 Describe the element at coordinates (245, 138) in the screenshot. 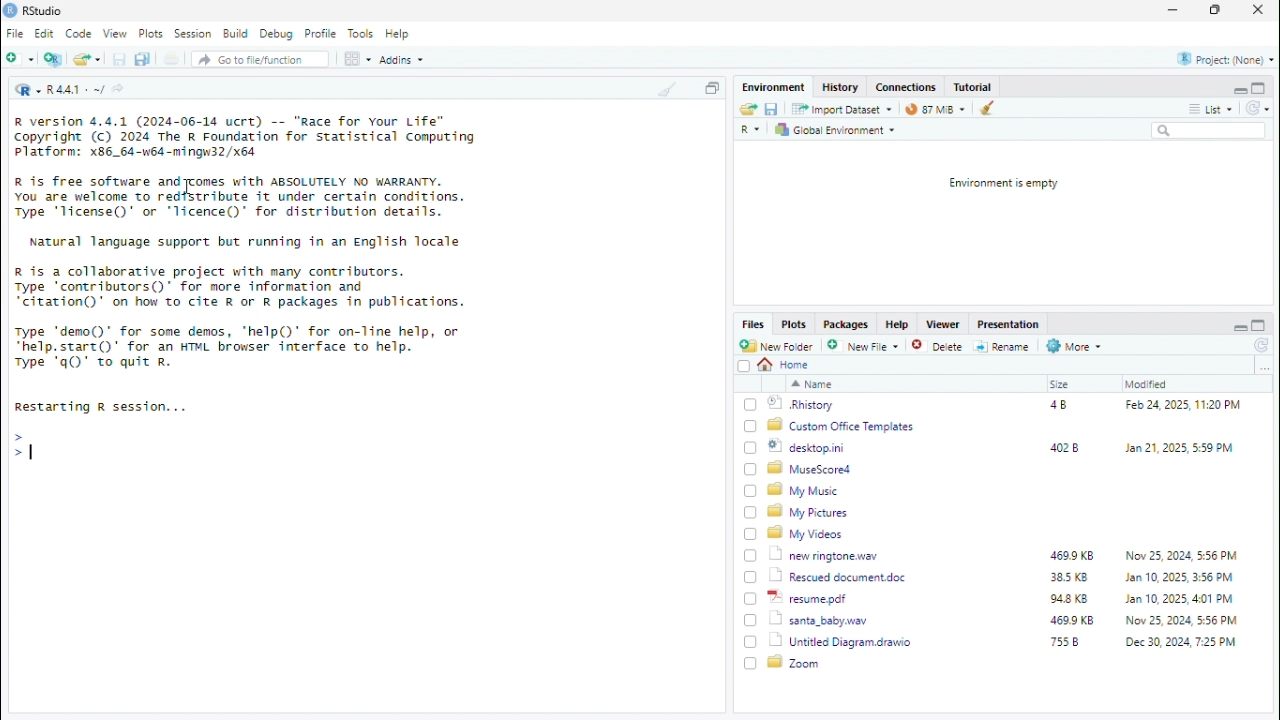

I see `R version 4.4.1 (2024-06-14 ucrt) -- "Race for Your Life”
Copyright (c) 2024 The R Foundation for statistical Computing
Platform: x86_64-w64-mingw32/x64` at that location.